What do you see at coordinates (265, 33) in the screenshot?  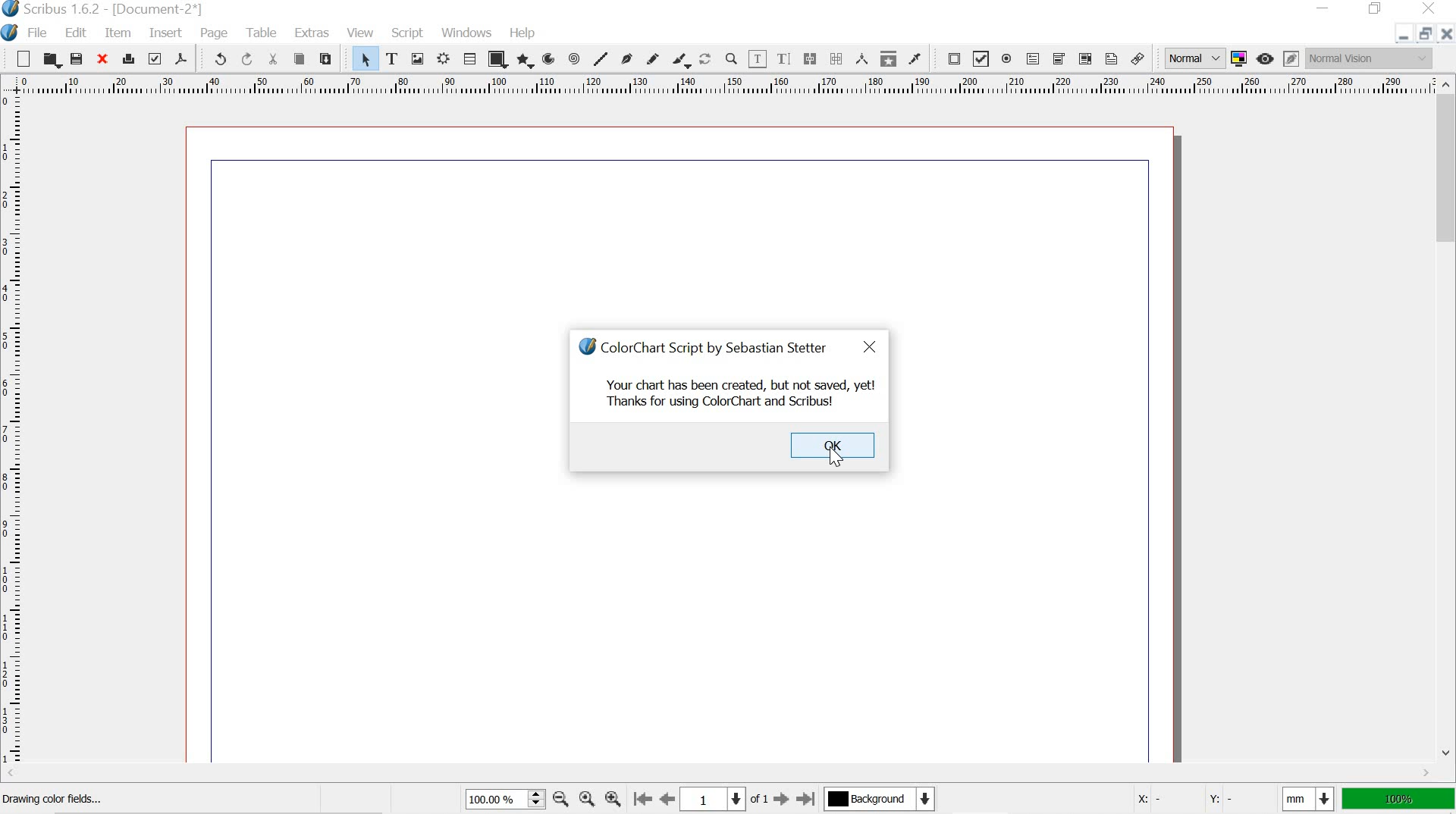 I see `table` at bounding box center [265, 33].